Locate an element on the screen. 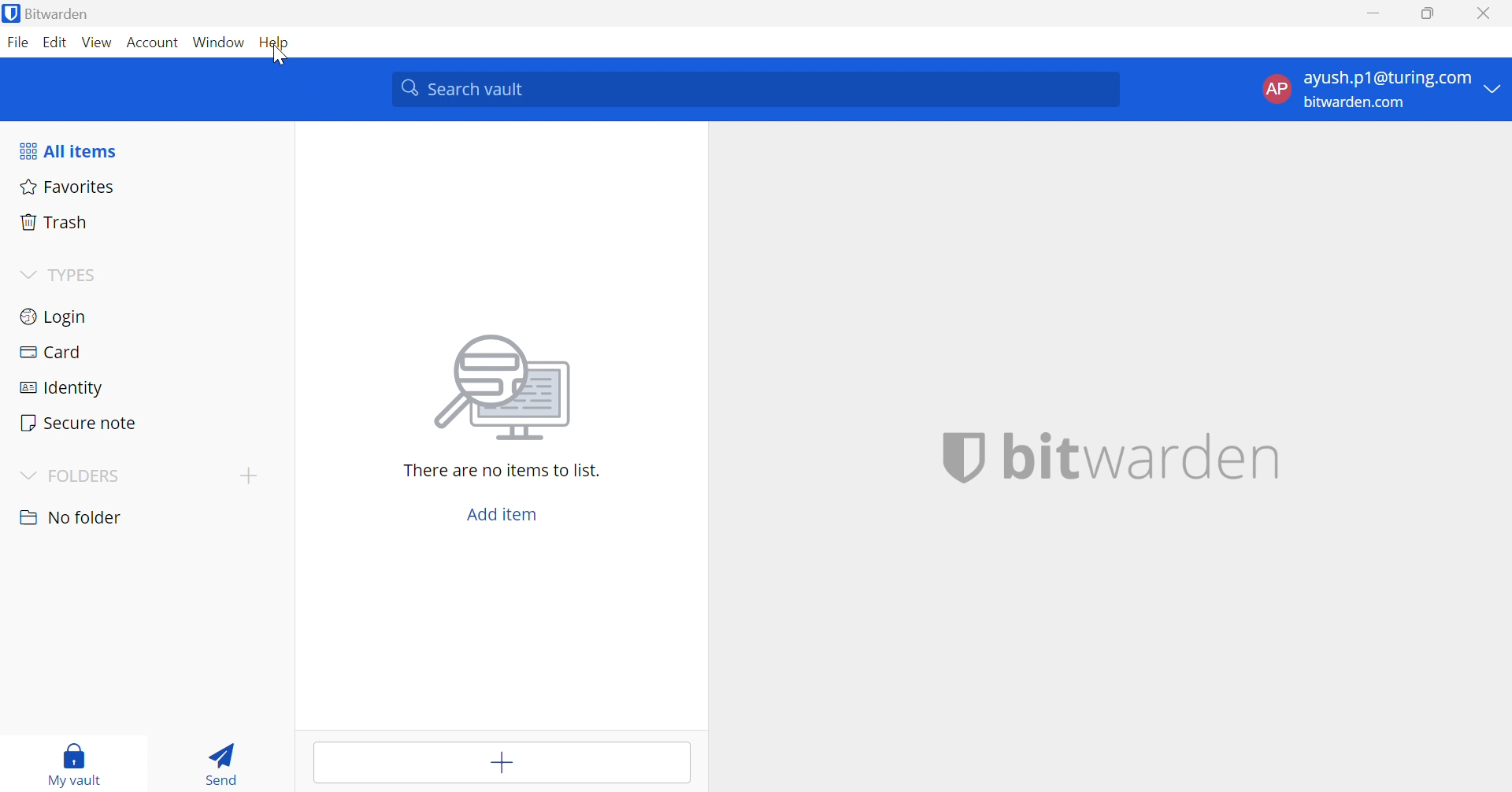  View is located at coordinates (98, 43).